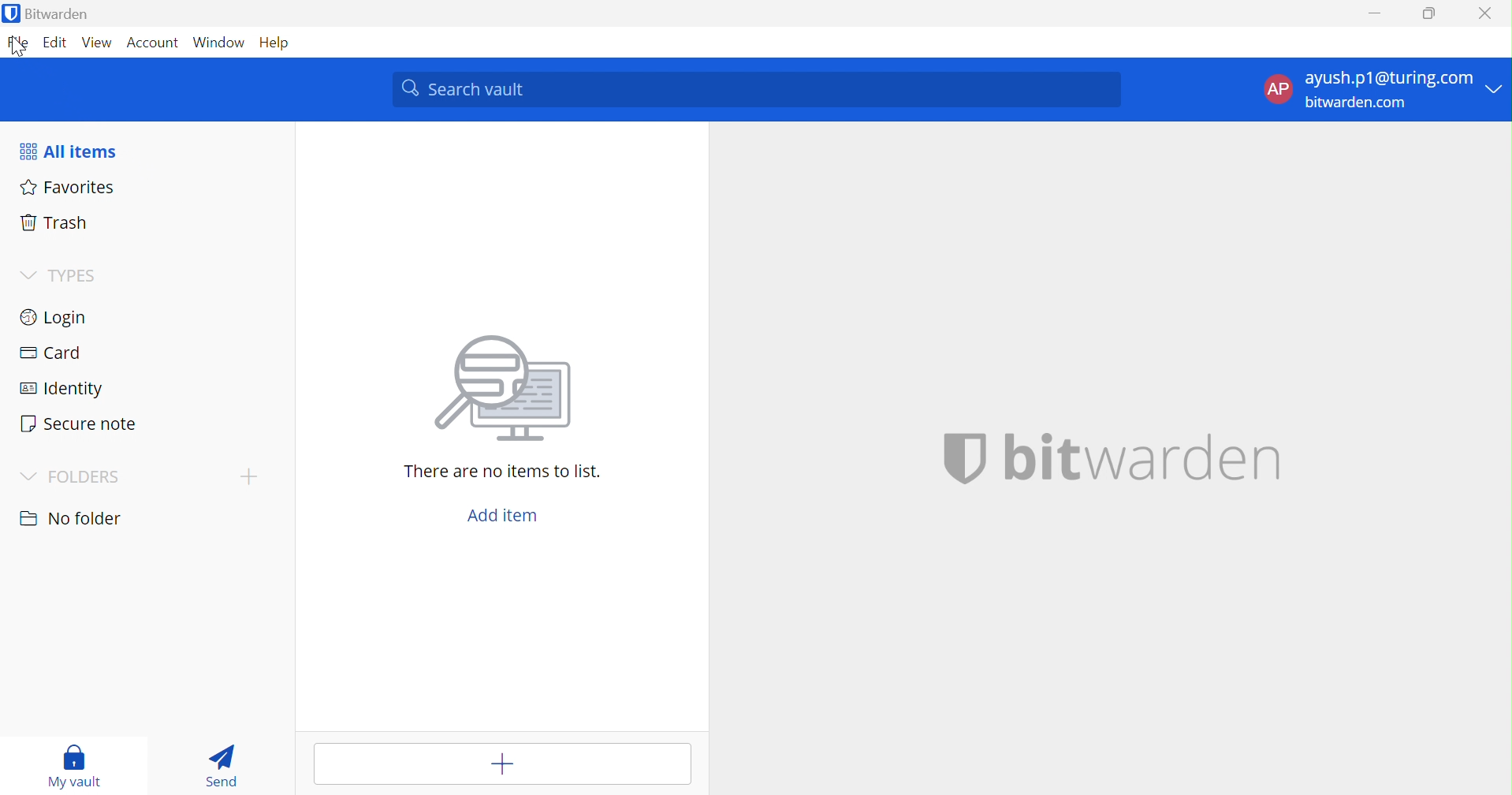 The width and height of the screenshot is (1512, 795). I want to click on FOLDERS, so click(84, 479).